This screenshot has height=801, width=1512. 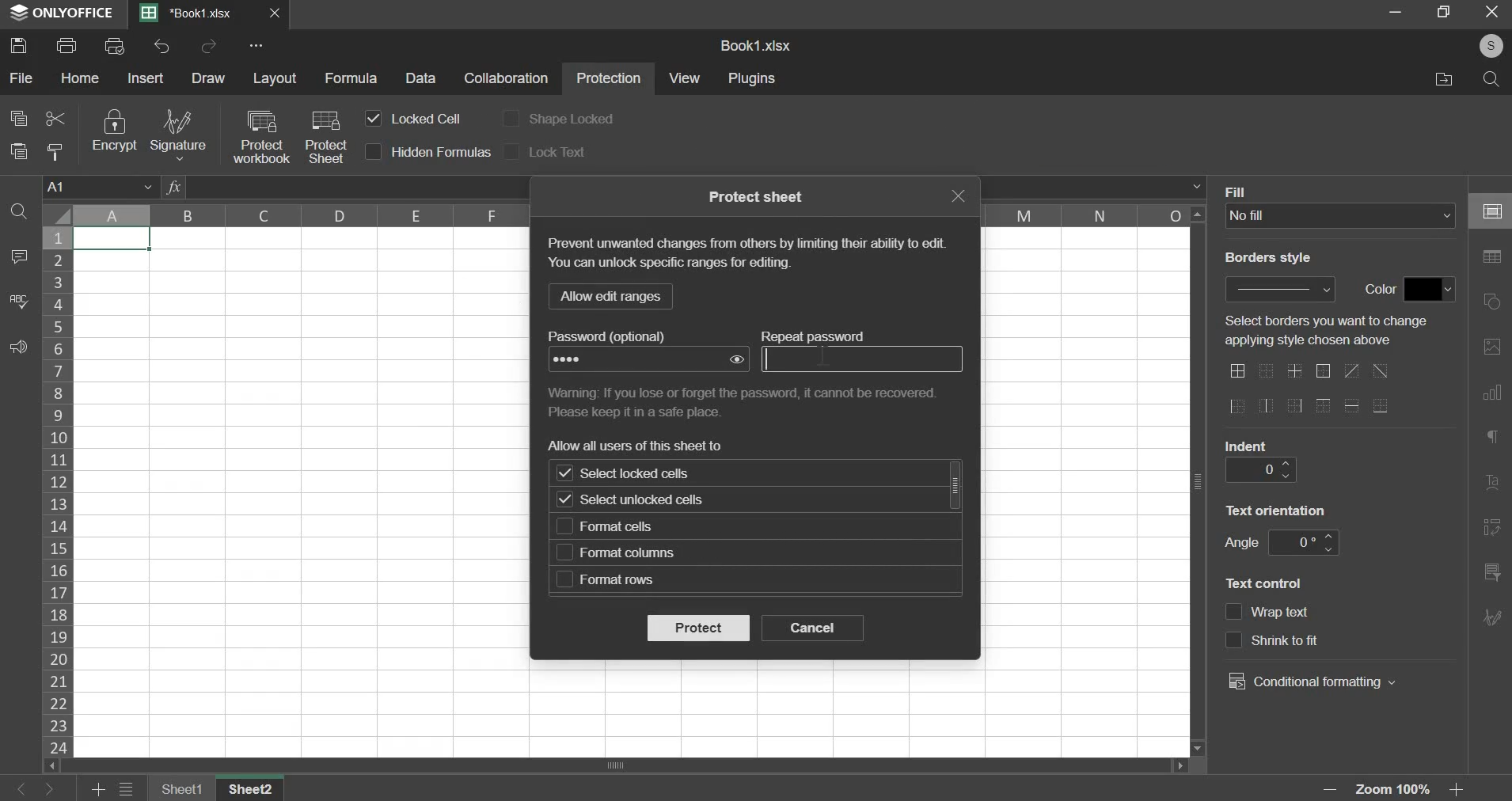 What do you see at coordinates (617, 336) in the screenshot?
I see `text` at bounding box center [617, 336].